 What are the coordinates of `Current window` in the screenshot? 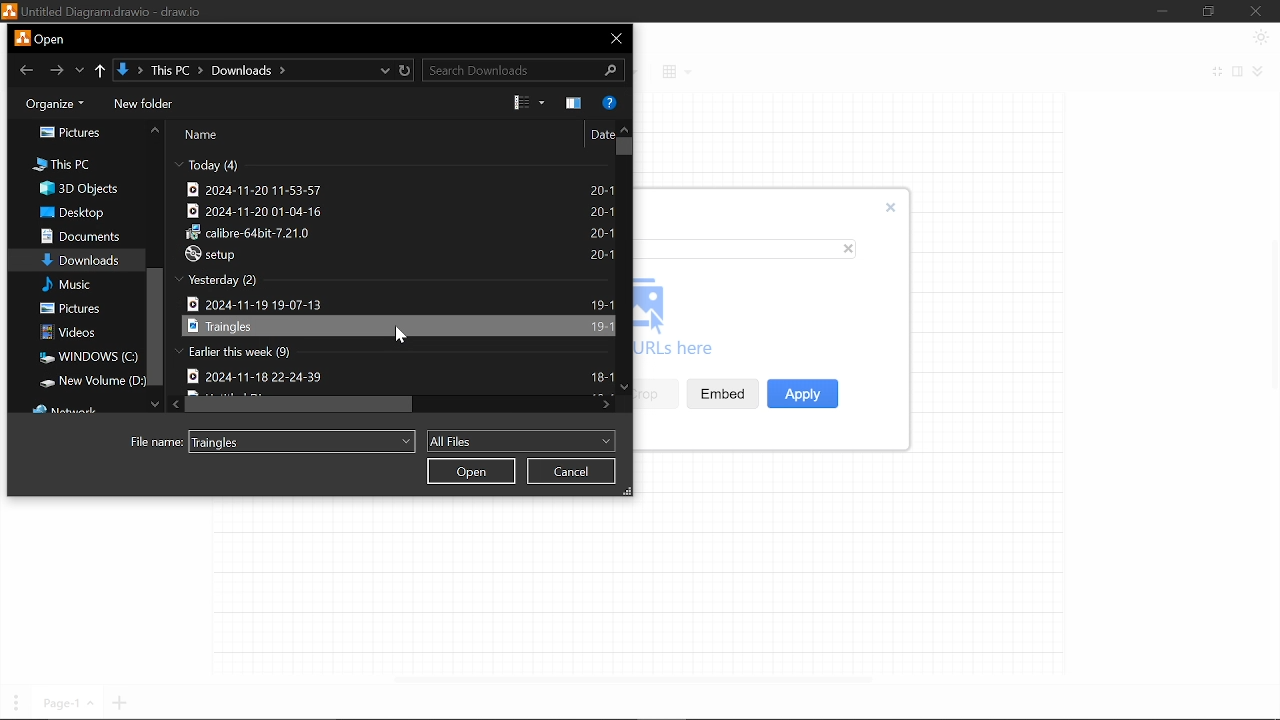 It's located at (46, 40).